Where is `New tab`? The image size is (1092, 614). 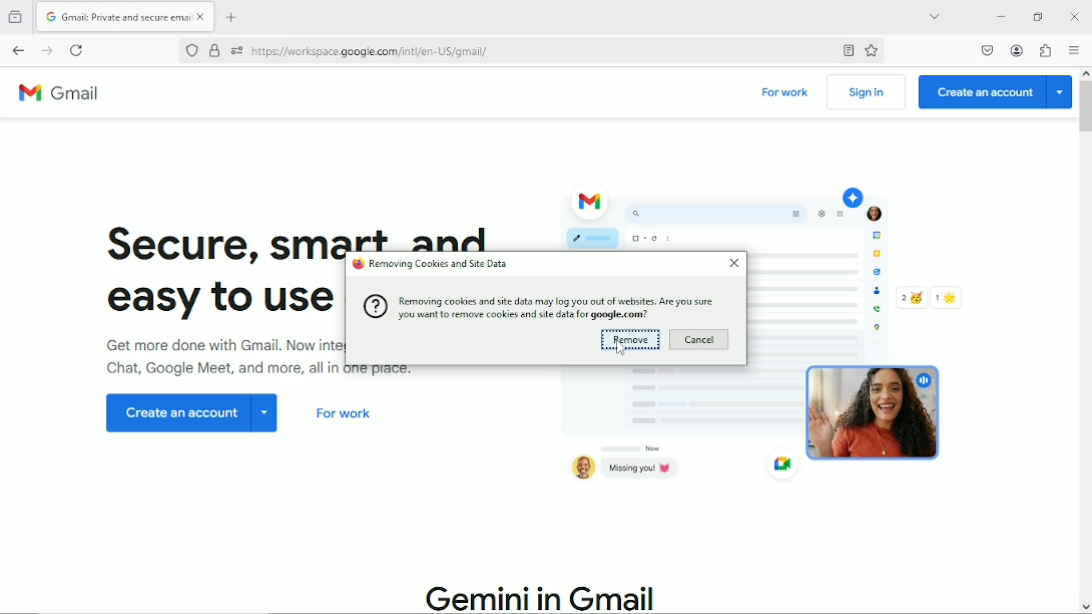 New tab is located at coordinates (235, 17).